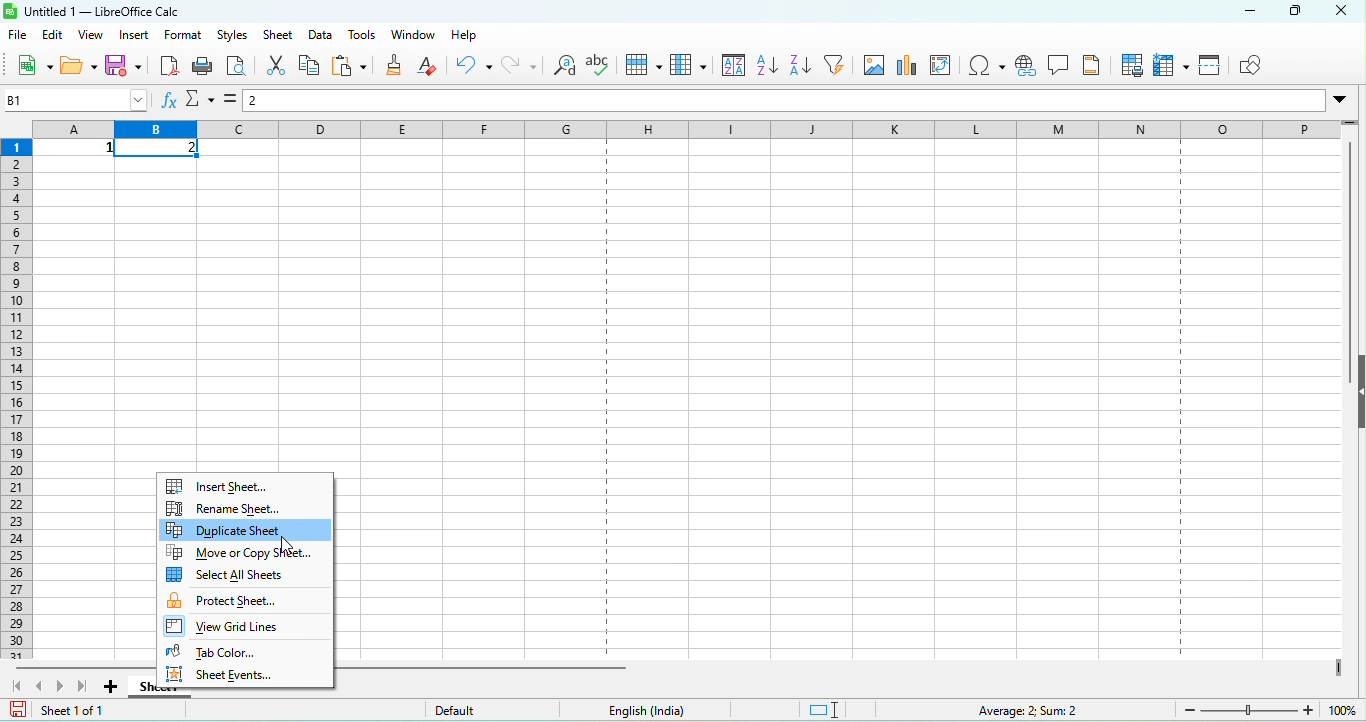 The image size is (1366, 722). What do you see at coordinates (1335, 670) in the screenshot?
I see `drag to view more colums` at bounding box center [1335, 670].